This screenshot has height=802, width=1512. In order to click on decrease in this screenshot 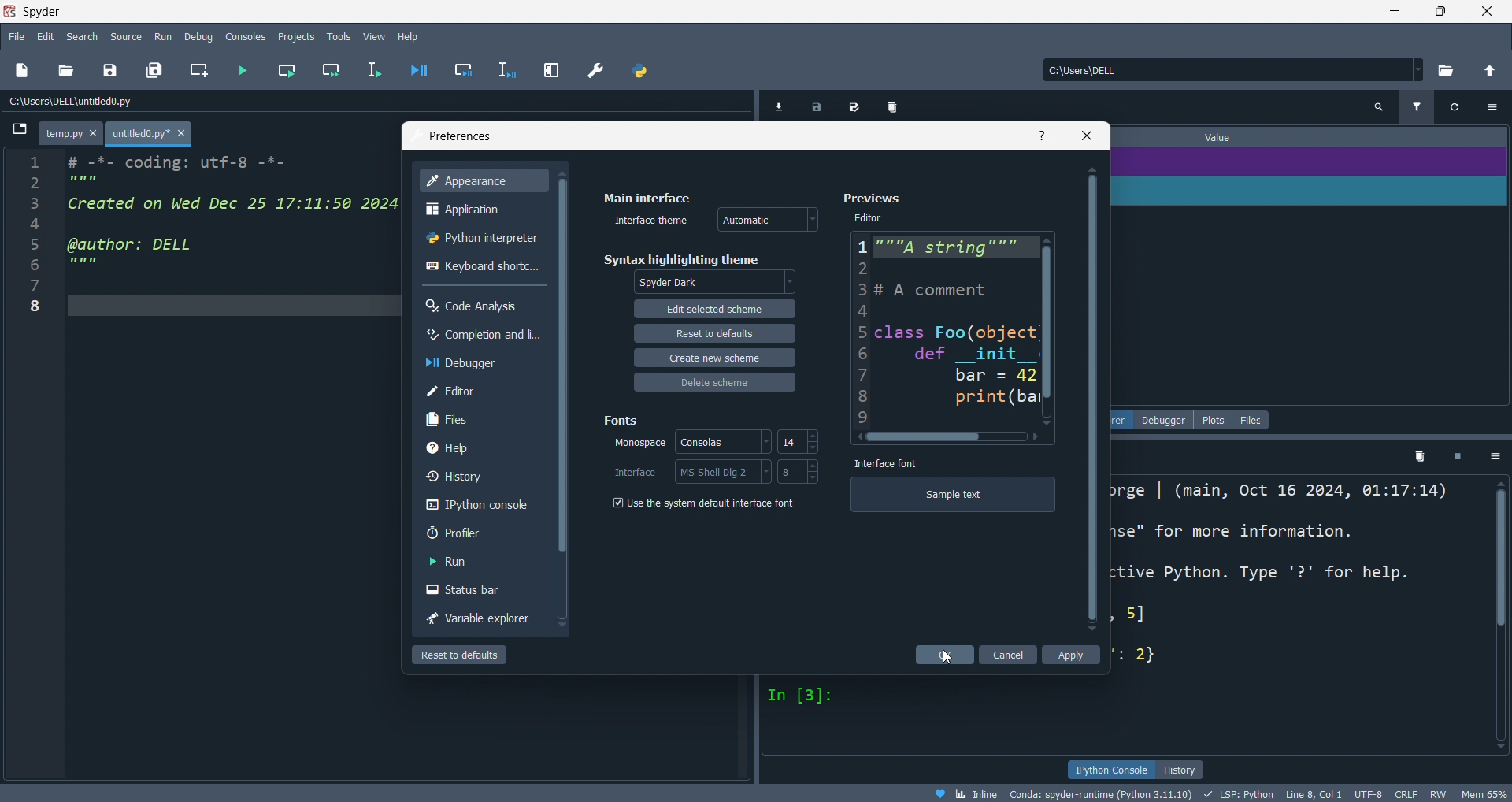, I will do `click(816, 450)`.